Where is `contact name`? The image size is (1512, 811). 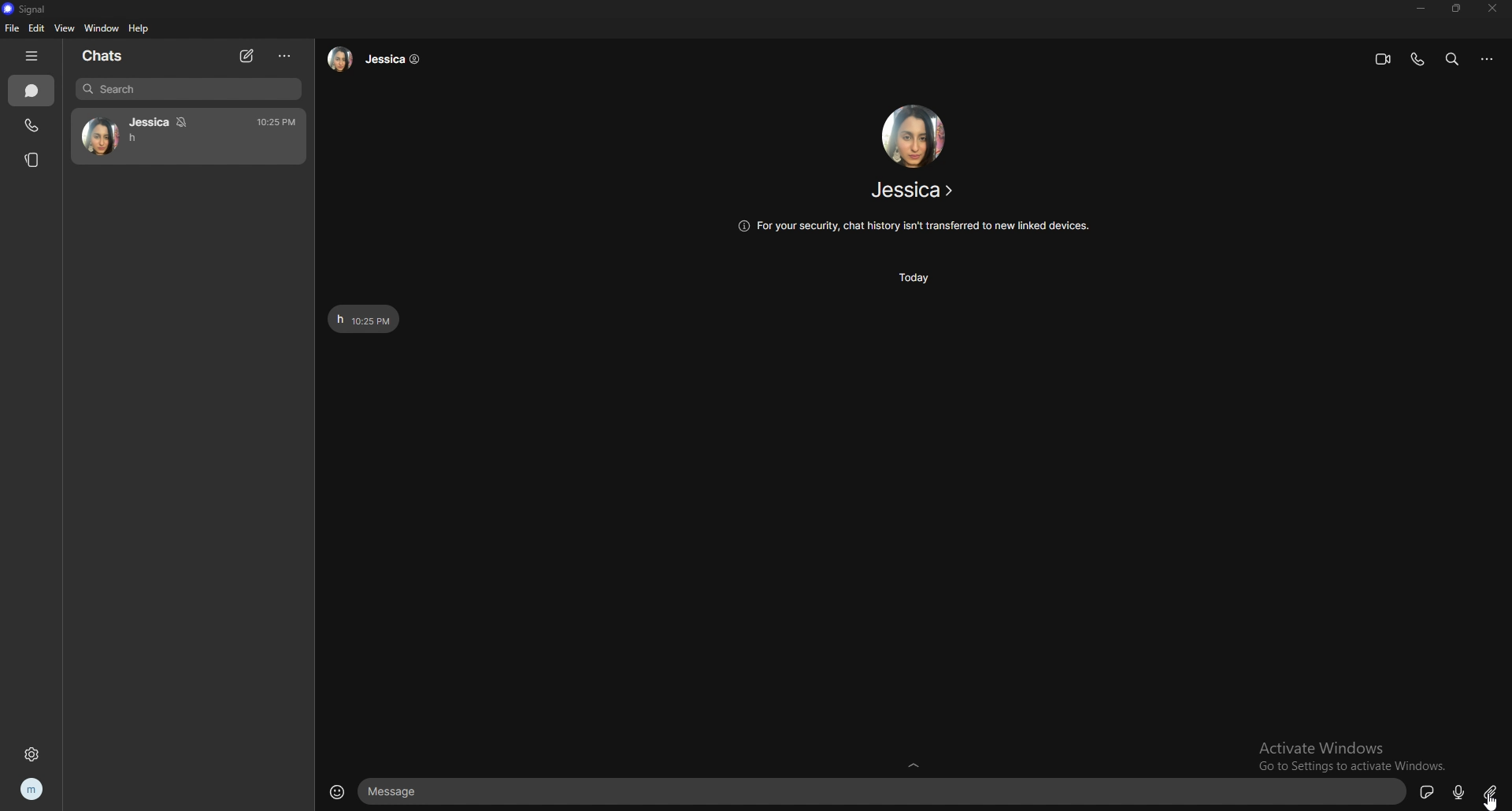
contact name is located at coordinates (915, 190).